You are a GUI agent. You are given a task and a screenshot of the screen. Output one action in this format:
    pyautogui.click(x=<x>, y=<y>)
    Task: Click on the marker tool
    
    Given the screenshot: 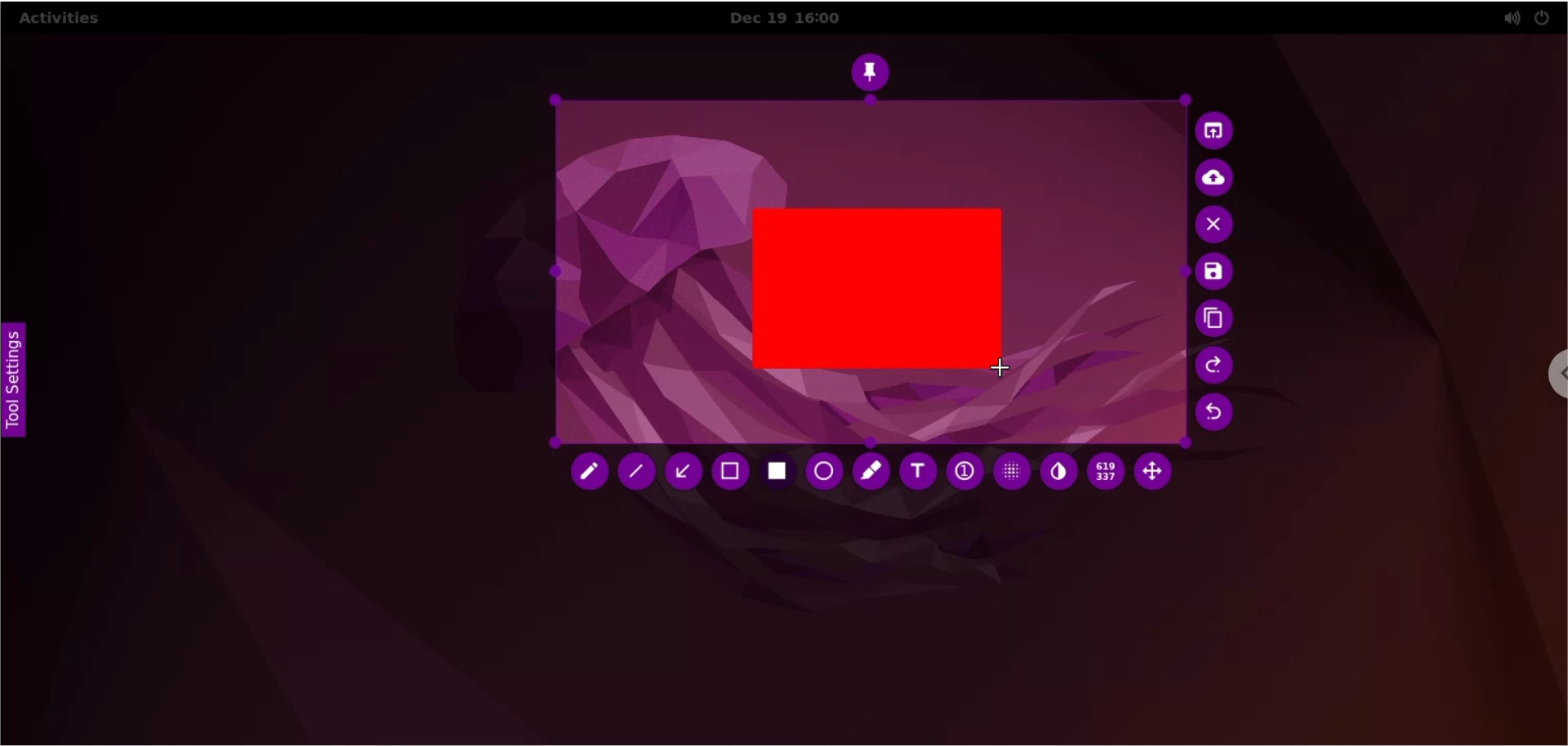 What is the action you would take?
    pyautogui.click(x=871, y=473)
    